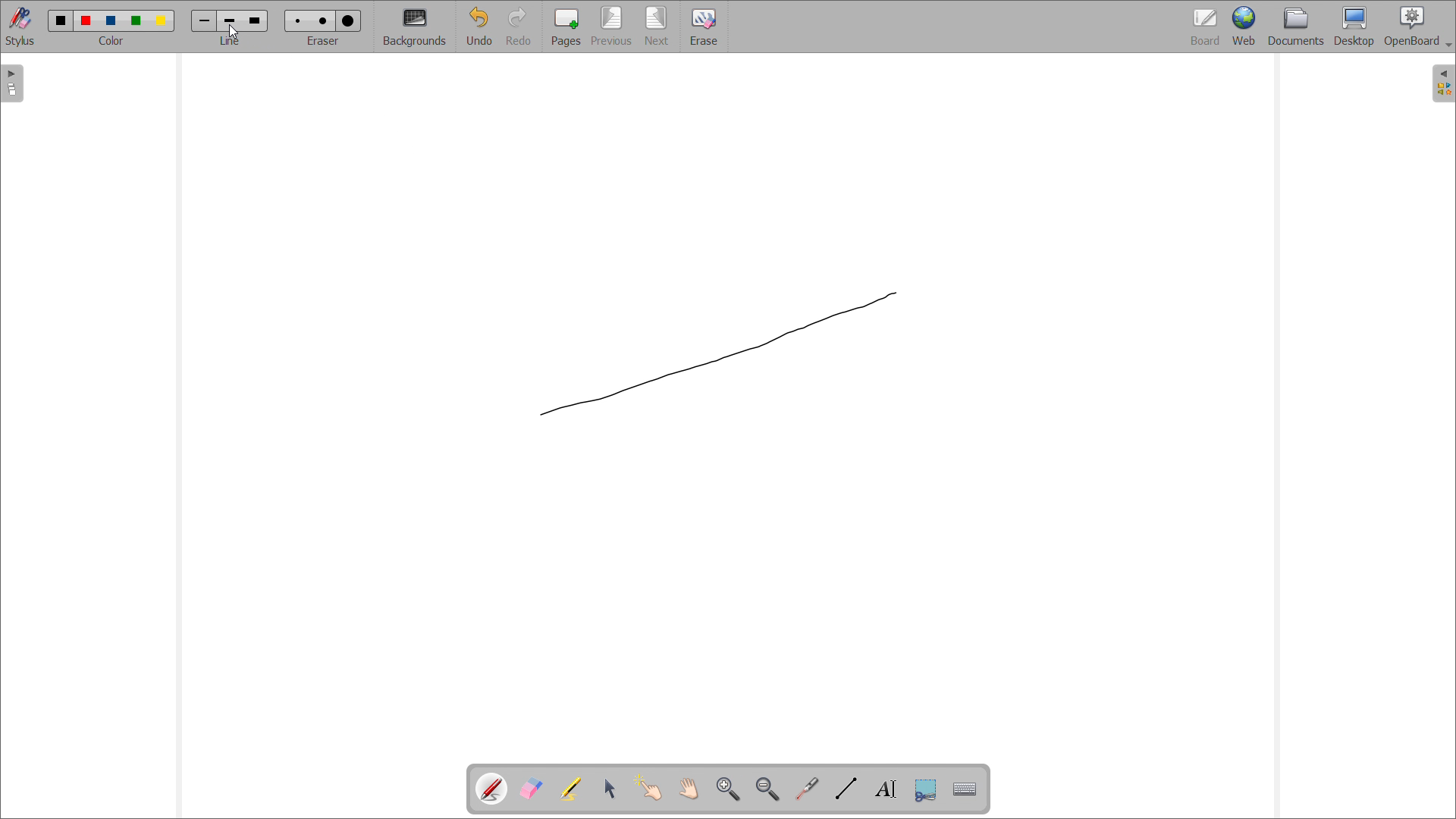 This screenshot has width=1456, height=819. Describe the element at coordinates (348, 21) in the screenshot. I see `Eraser size` at that location.